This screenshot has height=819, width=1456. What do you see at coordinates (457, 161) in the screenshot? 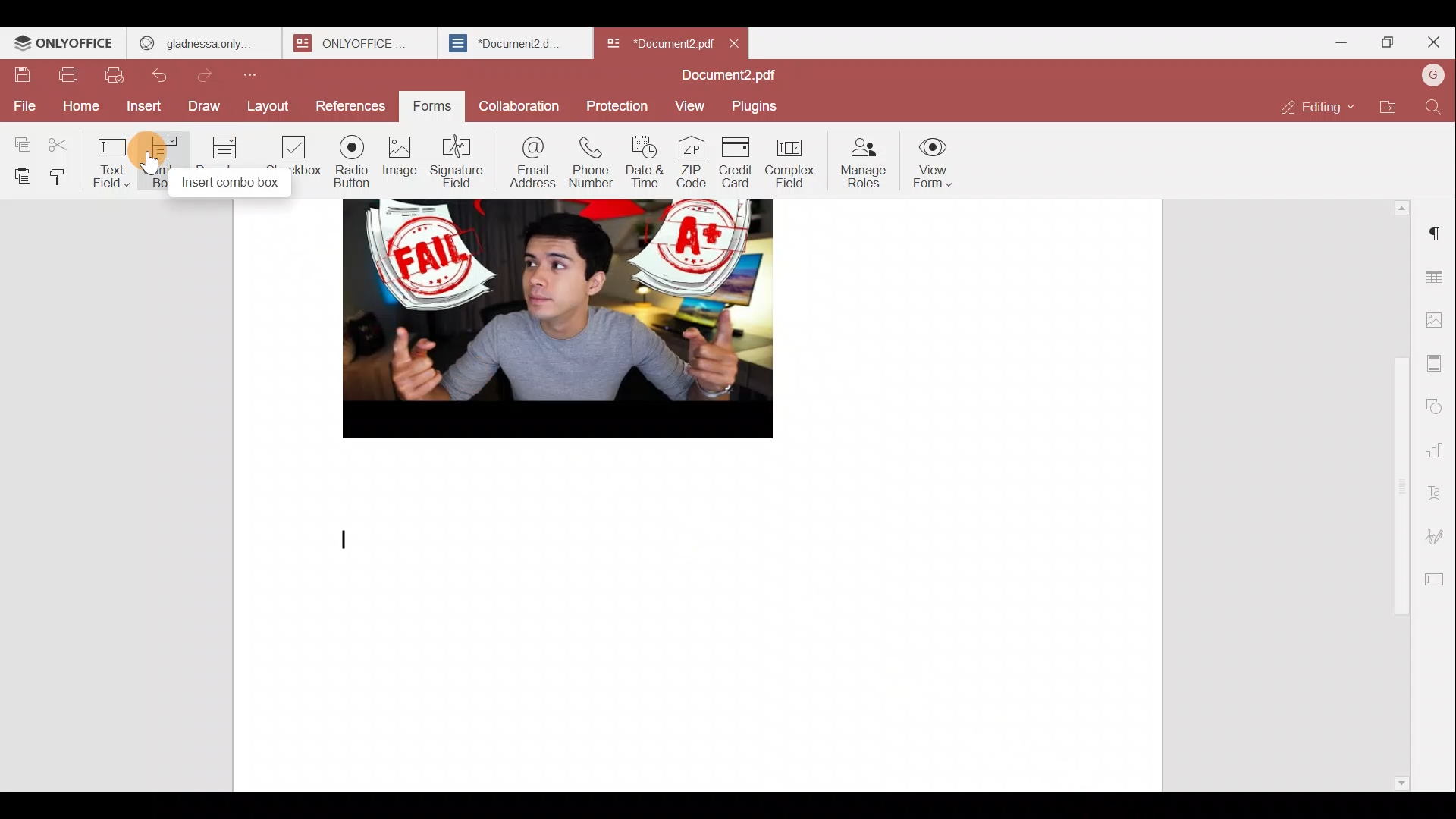
I see `Signature field` at bounding box center [457, 161].